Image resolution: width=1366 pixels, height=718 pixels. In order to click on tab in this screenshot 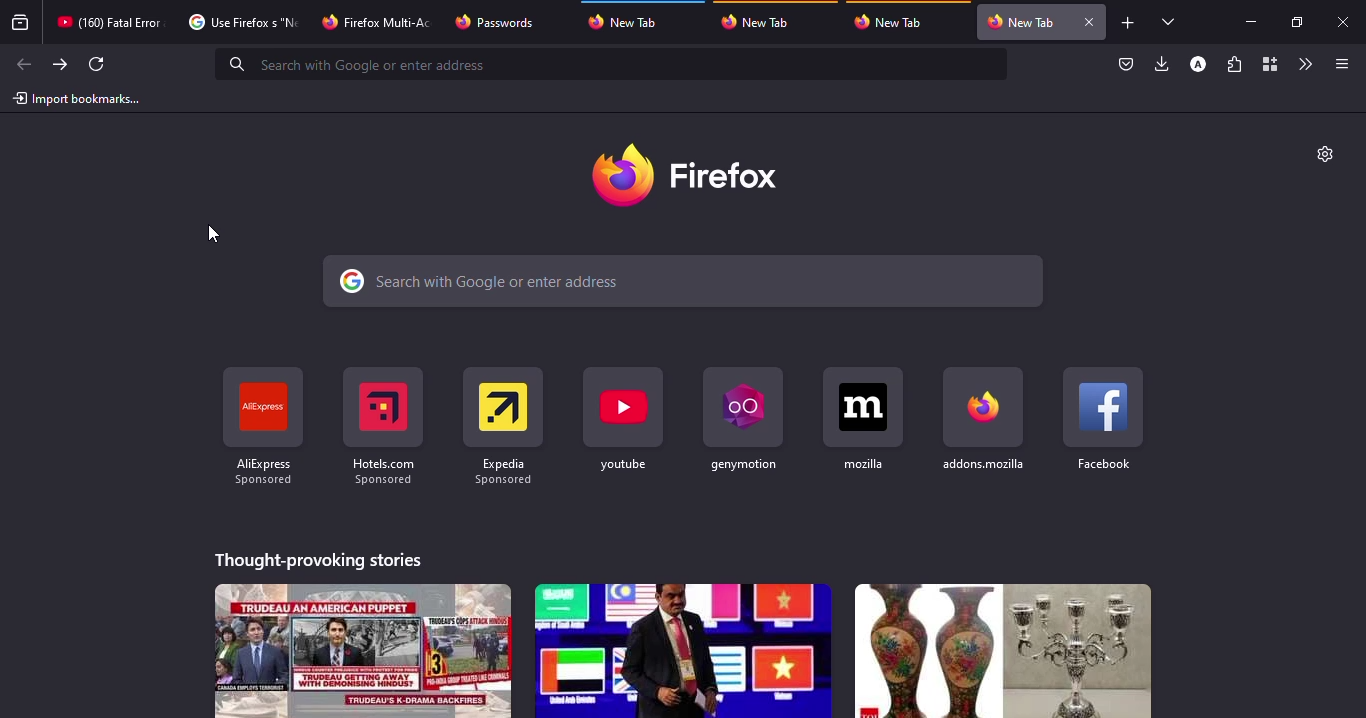, I will do `click(626, 23)`.